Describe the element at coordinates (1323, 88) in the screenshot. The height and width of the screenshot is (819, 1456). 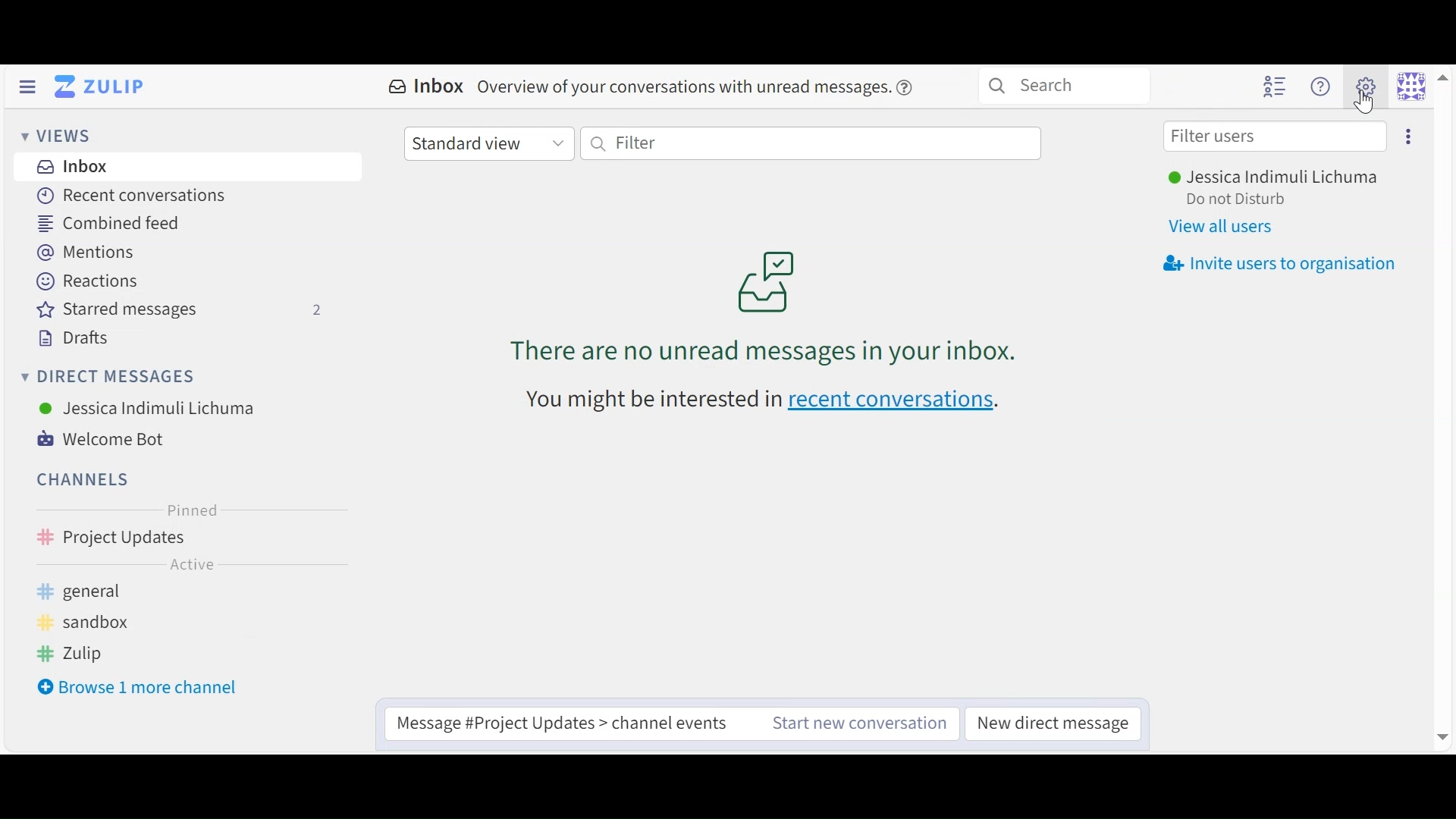
I see `Main menu` at that location.